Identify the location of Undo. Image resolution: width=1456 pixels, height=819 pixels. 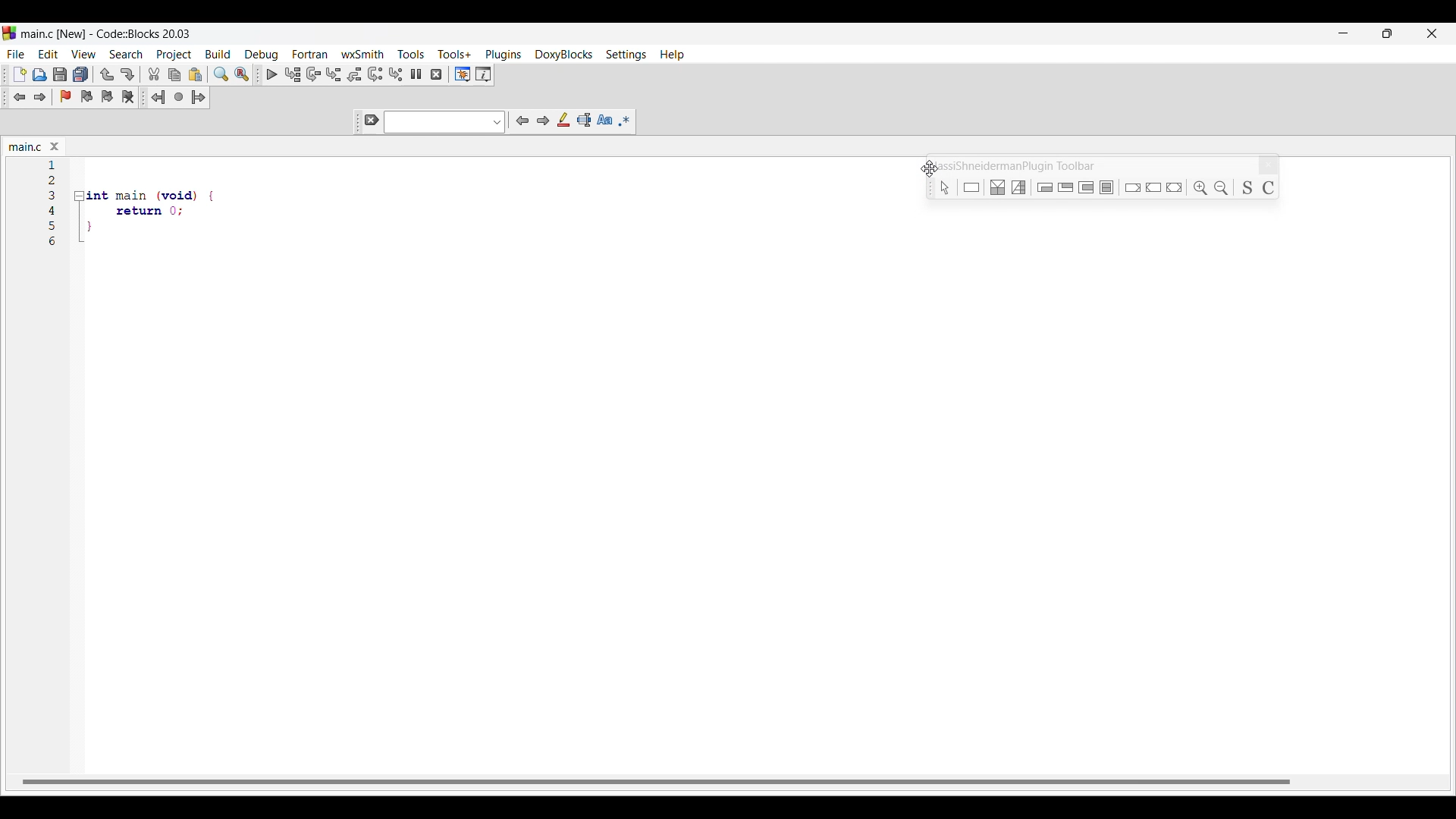
(107, 74).